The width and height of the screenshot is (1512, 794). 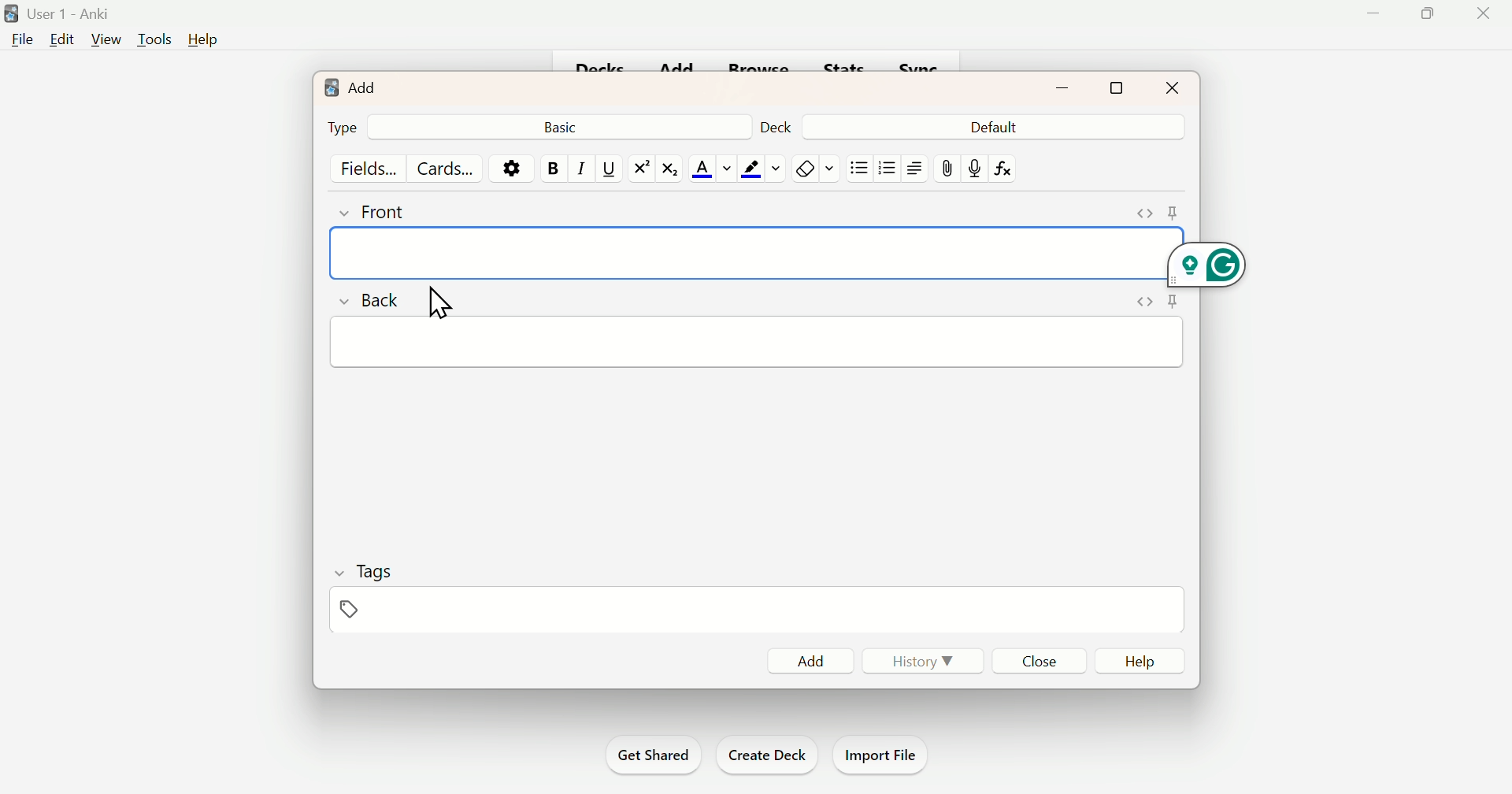 What do you see at coordinates (62, 43) in the screenshot?
I see `Edit` at bounding box center [62, 43].